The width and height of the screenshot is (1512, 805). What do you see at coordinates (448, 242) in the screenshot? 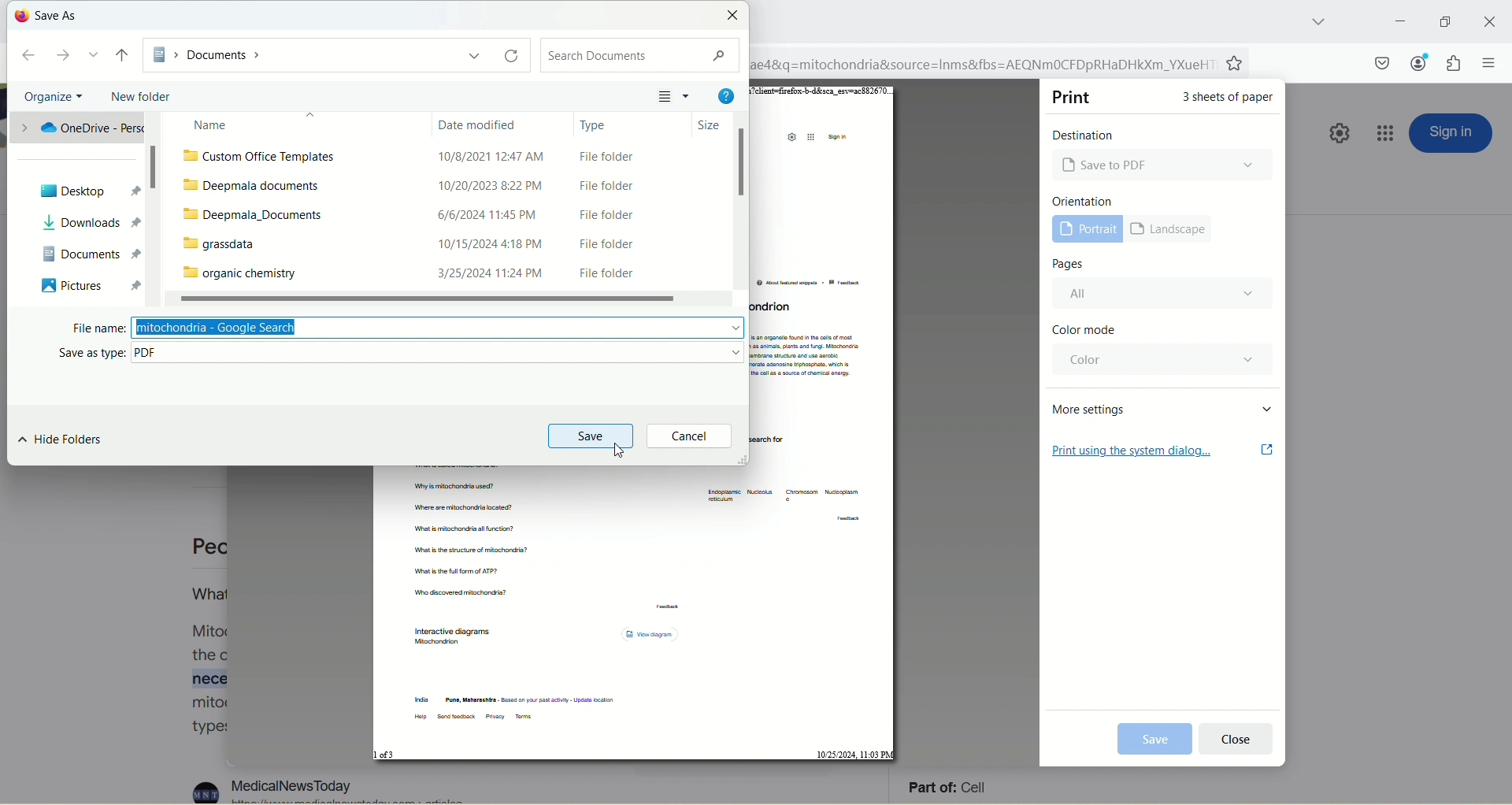
I see `grassdata` at bounding box center [448, 242].